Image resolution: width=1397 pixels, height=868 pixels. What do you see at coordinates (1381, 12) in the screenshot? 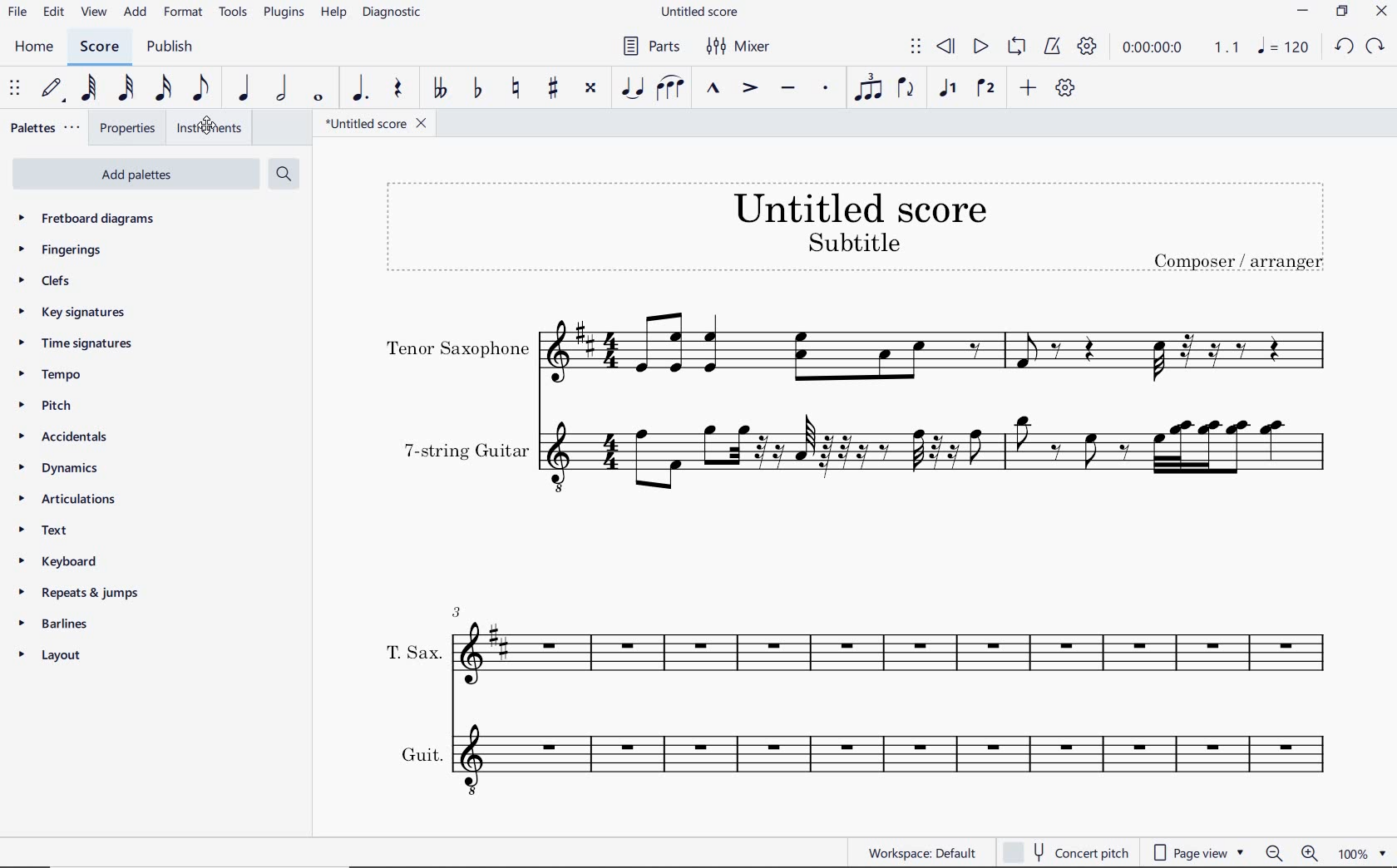
I see `CLOSE` at bounding box center [1381, 12].